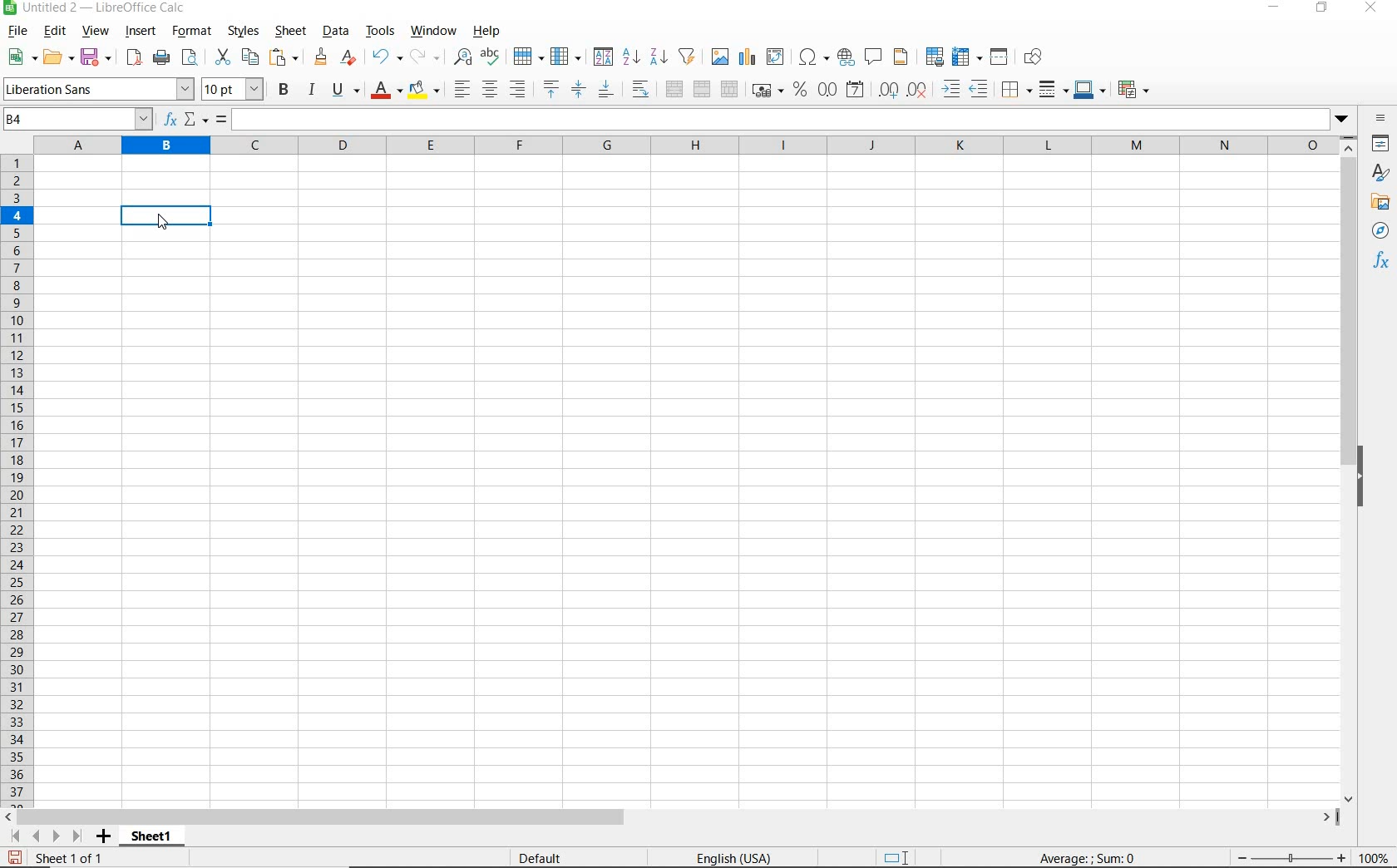  I want to click on scroll to next sheet, so click(45, 838).